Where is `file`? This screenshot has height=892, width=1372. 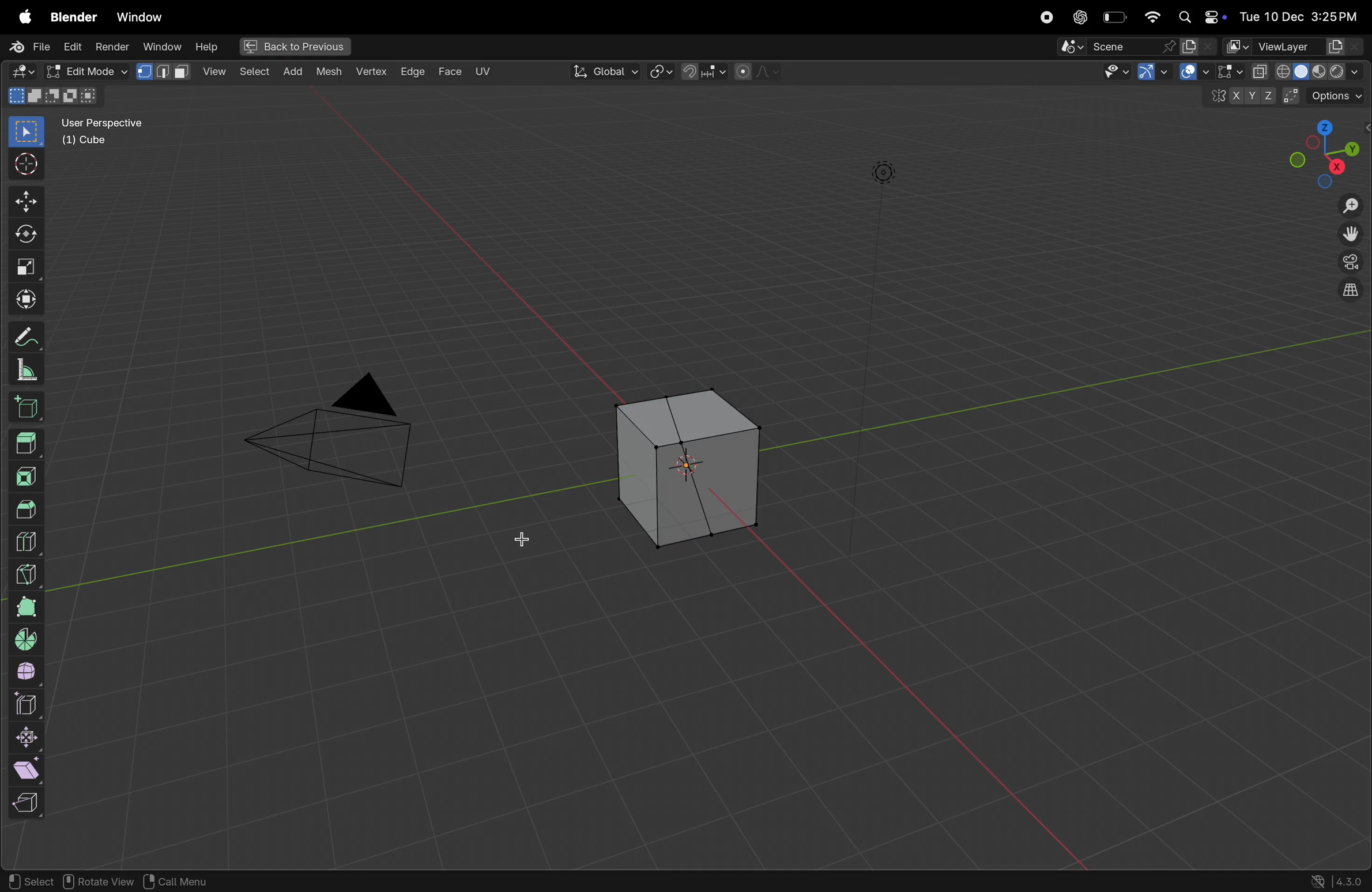 file is located at coordinates (26, 46).